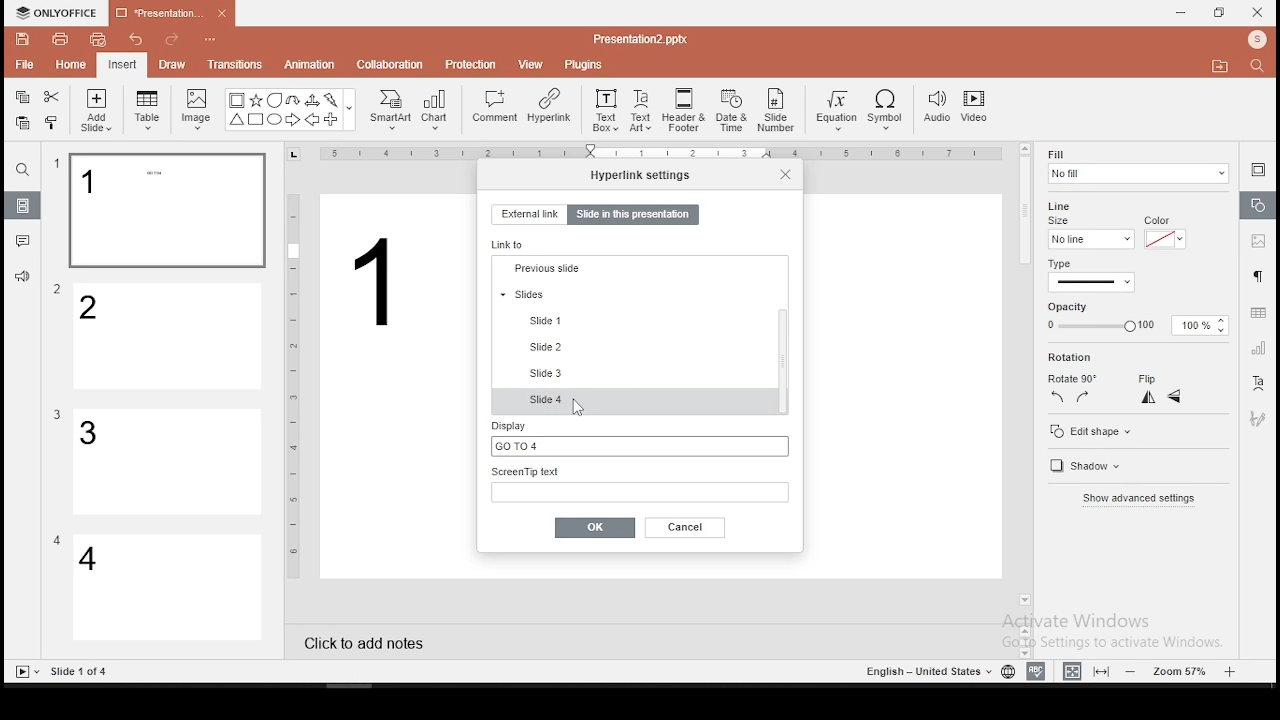 The image size is (1280, 720). Describe the element at coordinates (235, 120) in the screenshot. I see `Trianlge` at that location.